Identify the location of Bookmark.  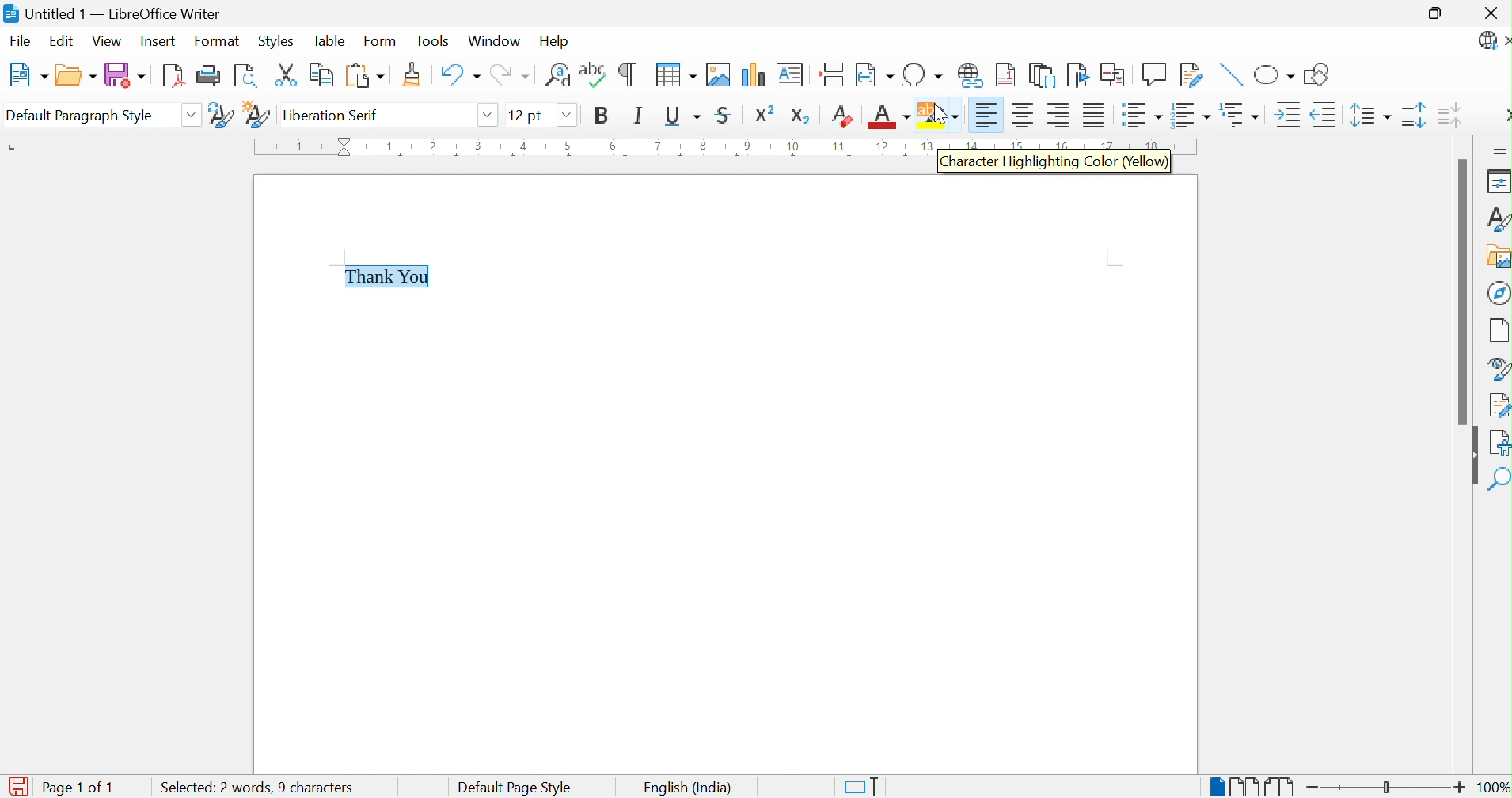
(1078, 74).